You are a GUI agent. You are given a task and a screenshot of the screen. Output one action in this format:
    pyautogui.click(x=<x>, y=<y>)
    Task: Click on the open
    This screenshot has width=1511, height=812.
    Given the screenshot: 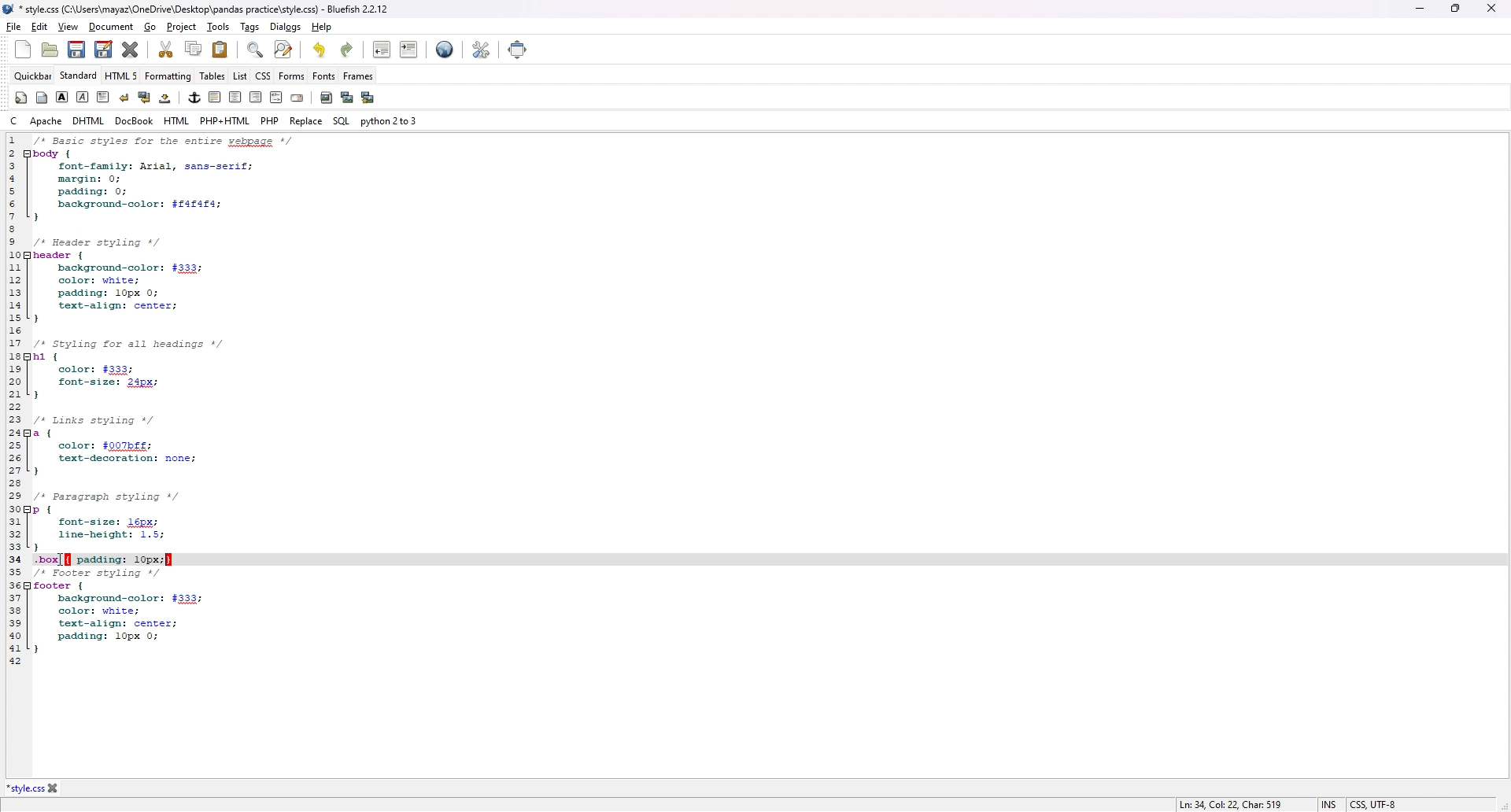 What is the action you would take?
    pyautogui.click(x=50, y=50)
    